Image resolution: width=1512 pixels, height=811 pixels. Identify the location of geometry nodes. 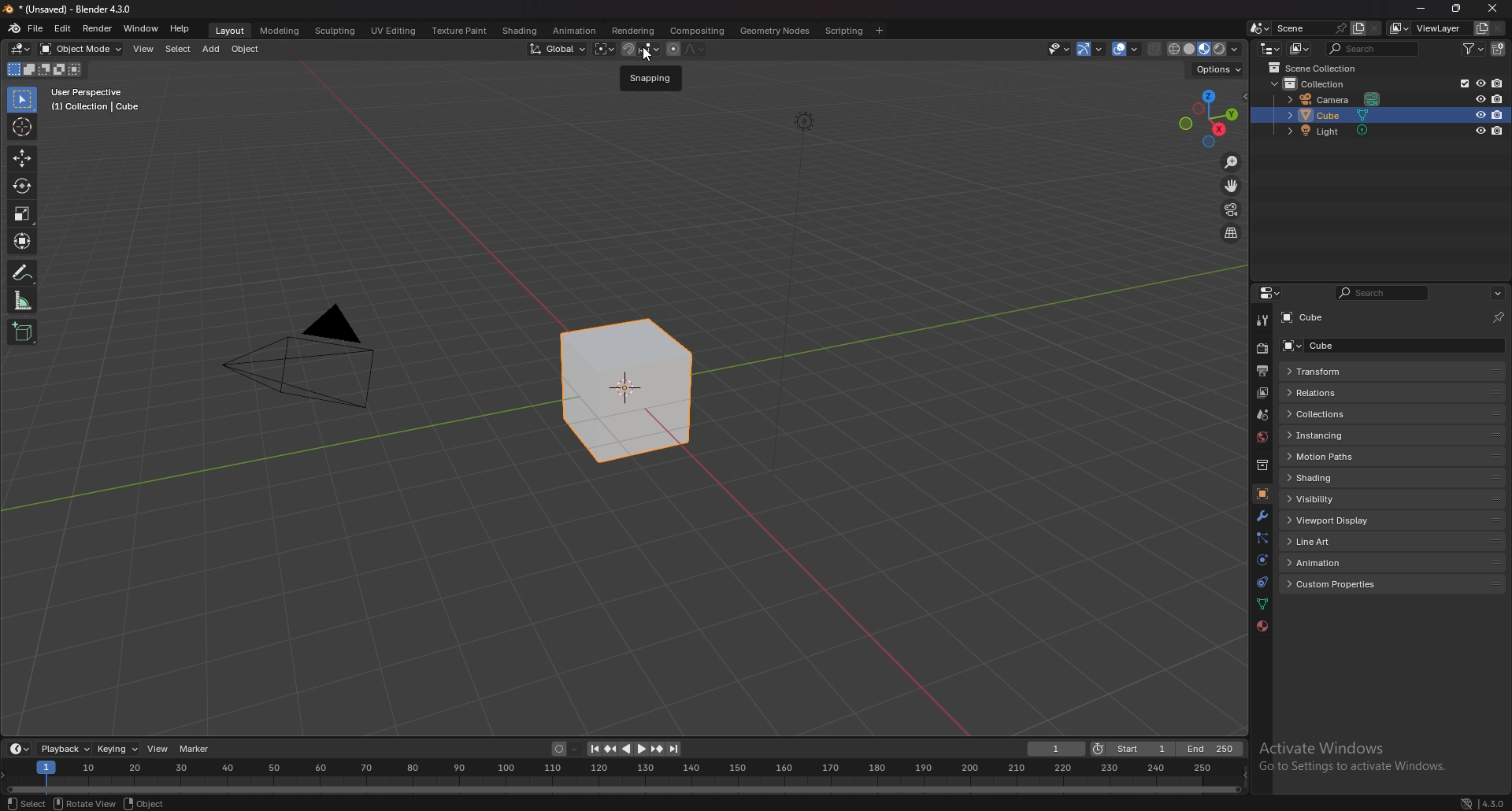
(776, 30).